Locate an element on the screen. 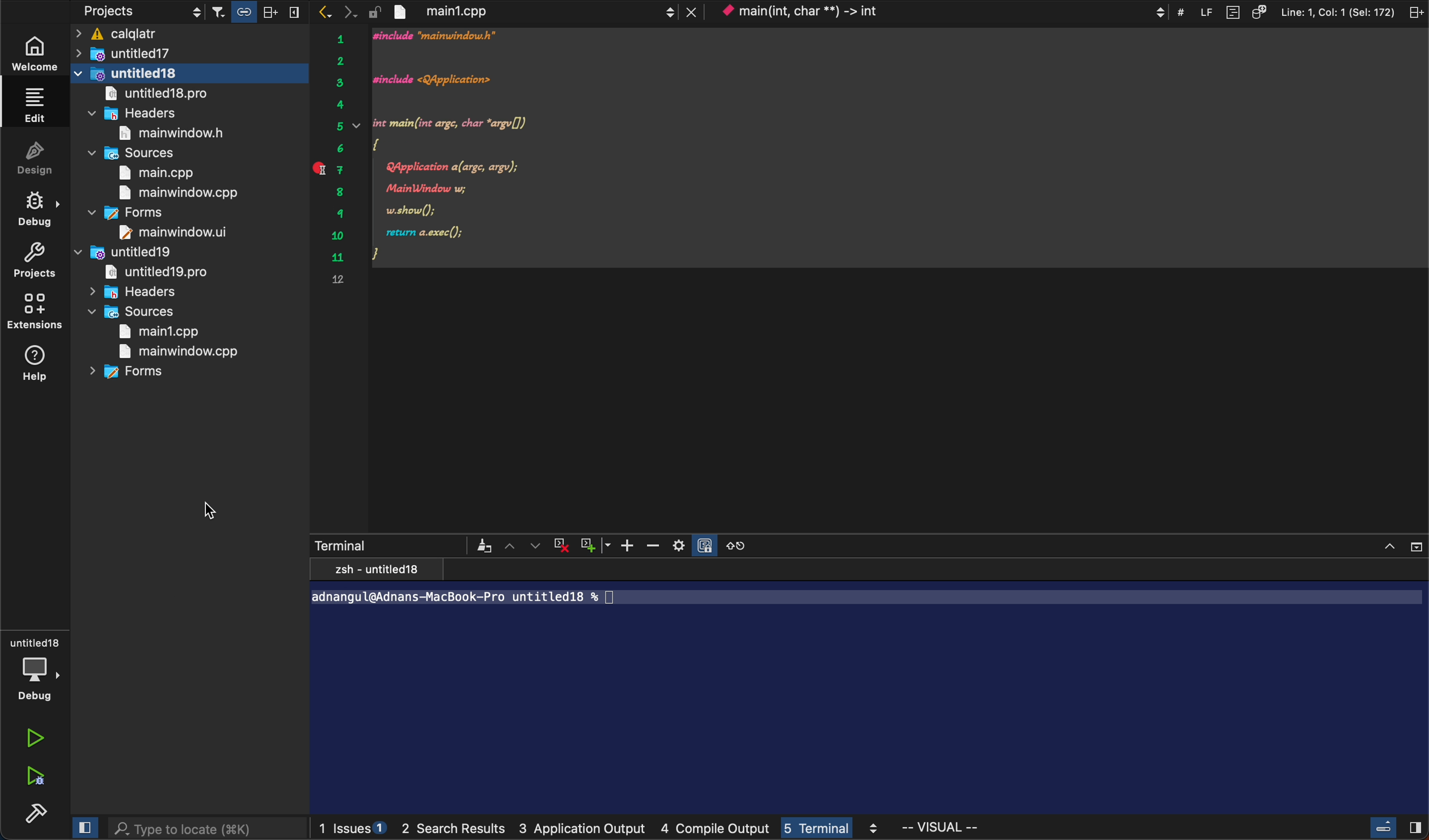  untitled 18 pro is located at coordinates (159, 94).